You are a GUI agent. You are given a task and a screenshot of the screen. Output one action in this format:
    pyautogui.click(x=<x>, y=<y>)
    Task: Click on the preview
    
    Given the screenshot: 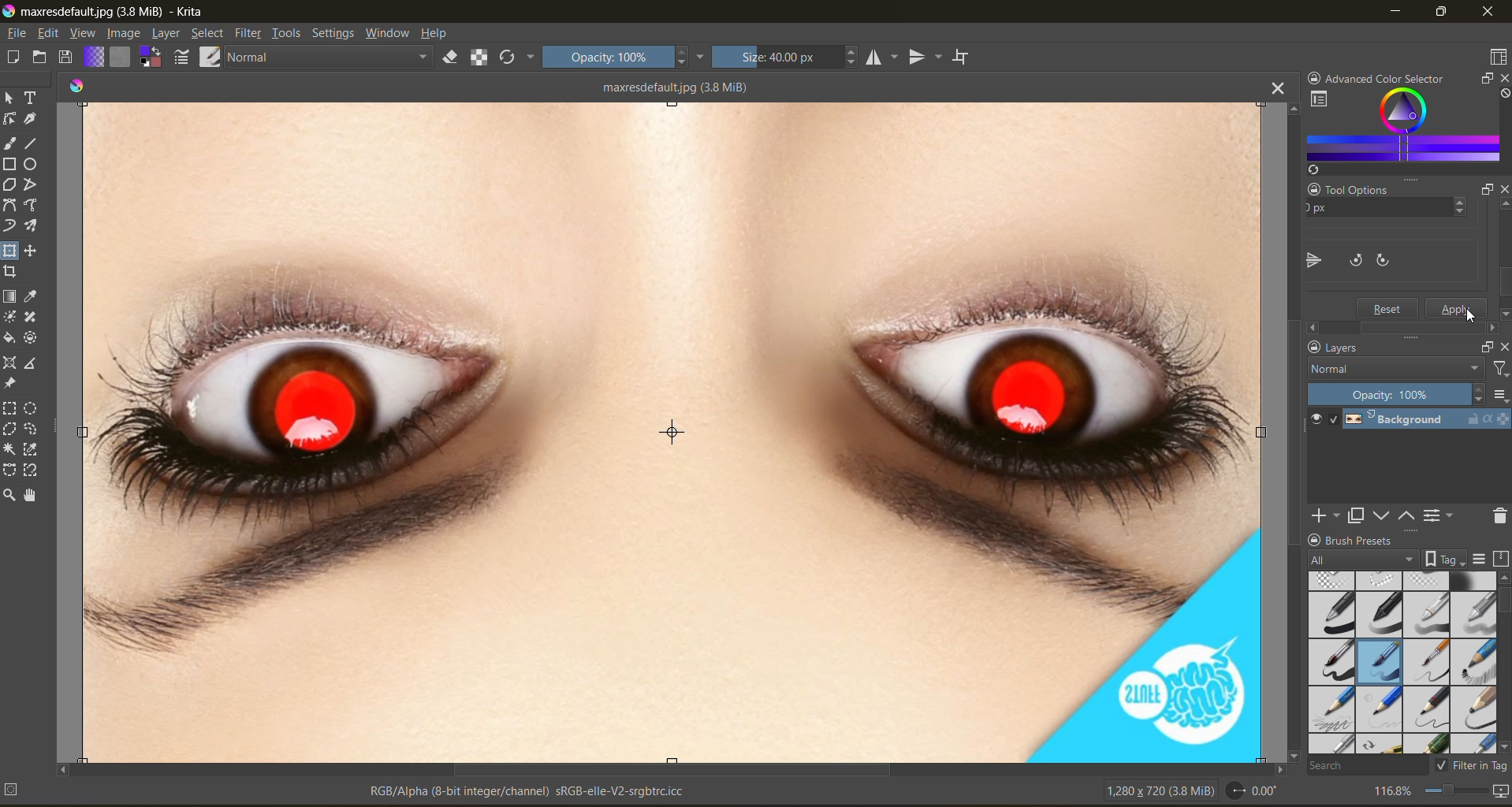 What is the action you would take?
    pyautogui.click(x=1316, y=420)
    